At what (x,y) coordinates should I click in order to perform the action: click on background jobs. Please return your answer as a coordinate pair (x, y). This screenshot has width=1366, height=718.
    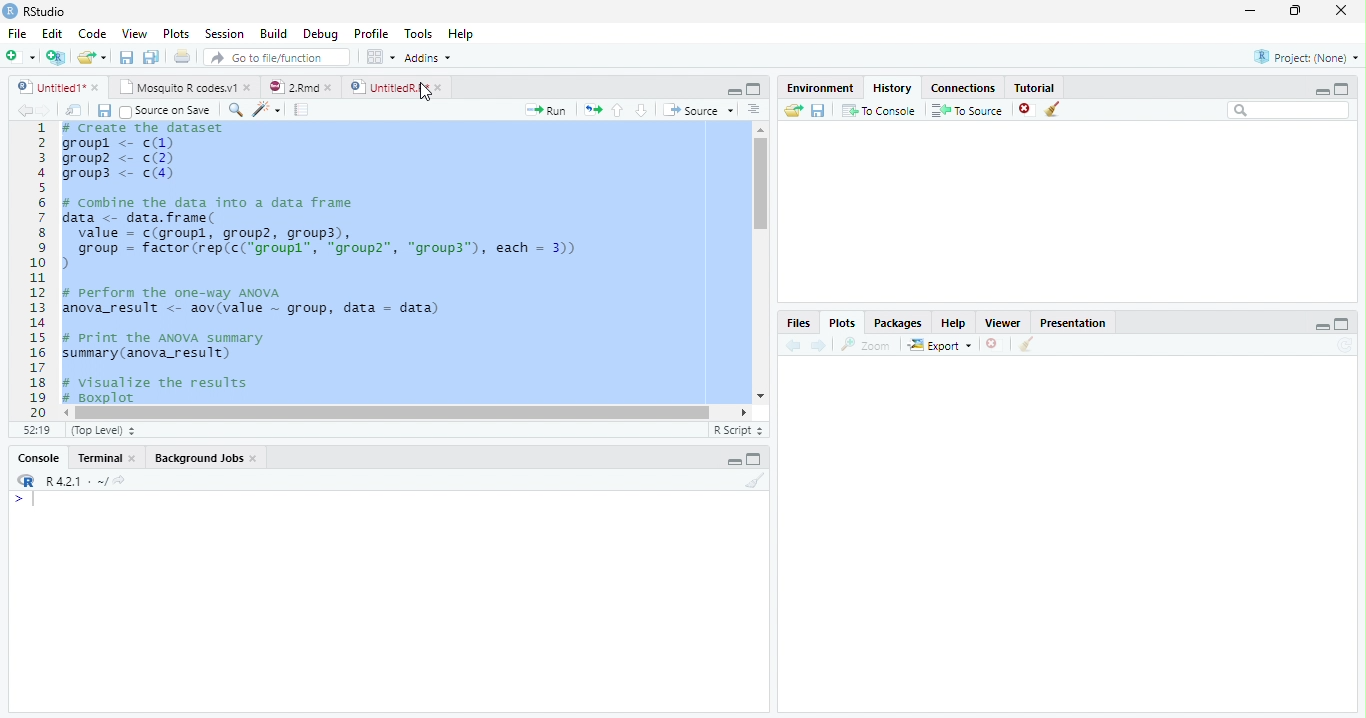
    Looking at the image, I should click on (207, 460).